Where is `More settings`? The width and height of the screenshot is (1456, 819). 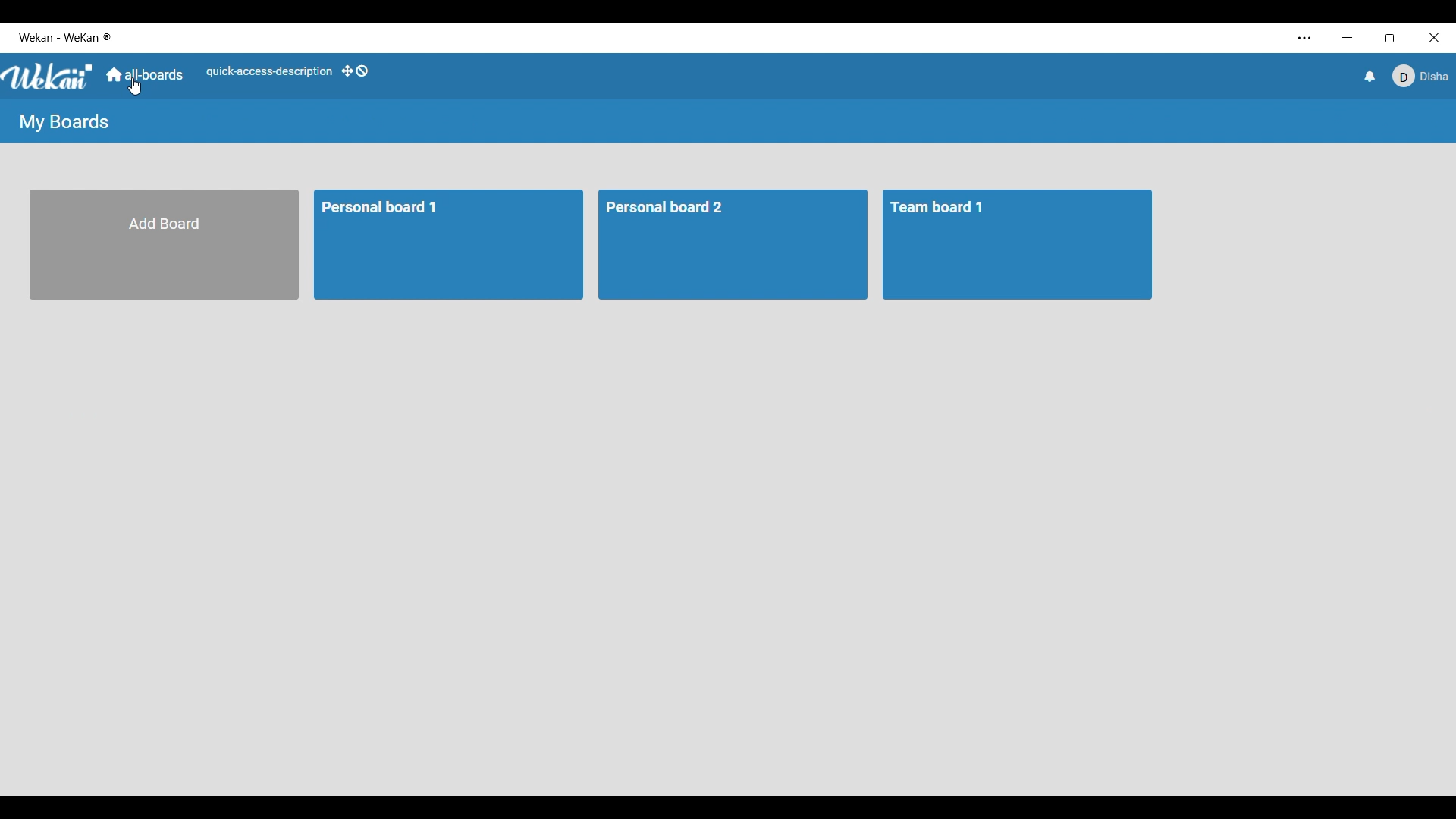
More settings is located at coordinates (1305, 39).